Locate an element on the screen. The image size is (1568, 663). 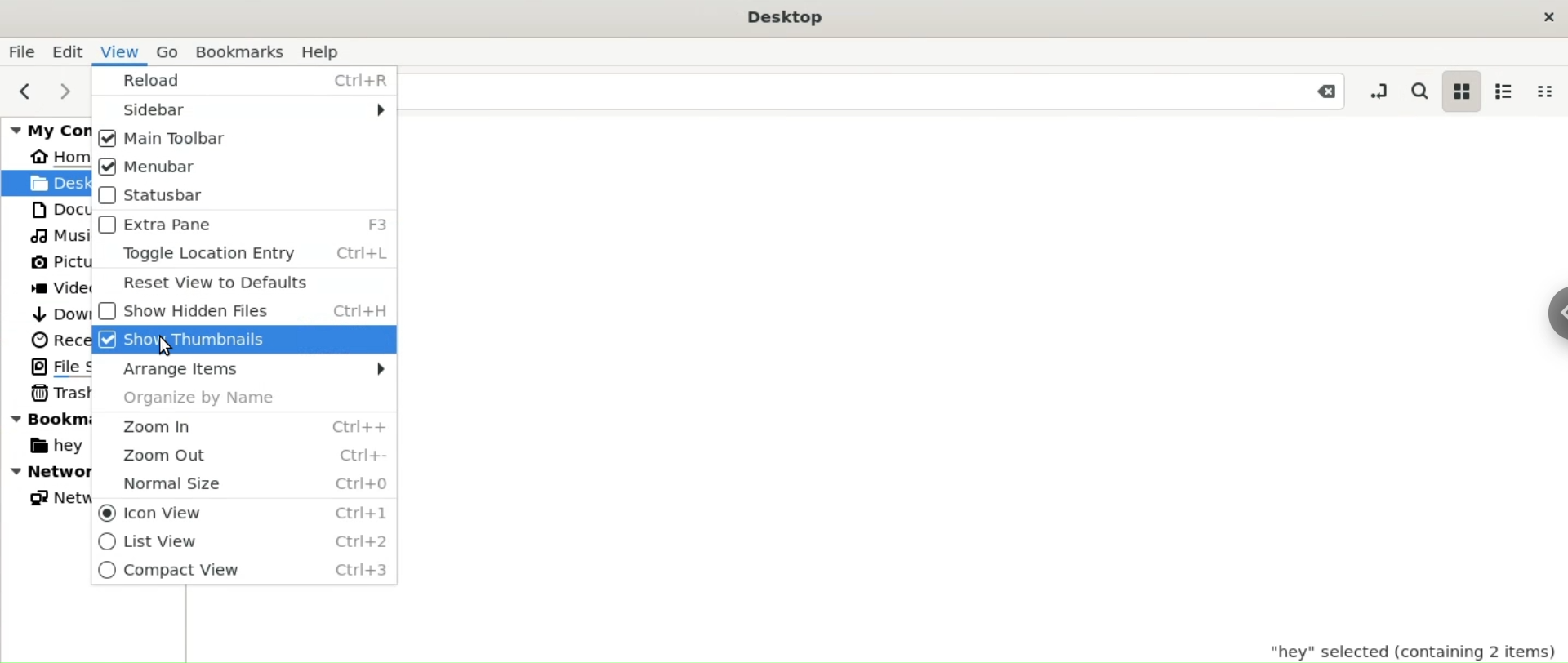
Cursor is located at coordinates (164, 353).